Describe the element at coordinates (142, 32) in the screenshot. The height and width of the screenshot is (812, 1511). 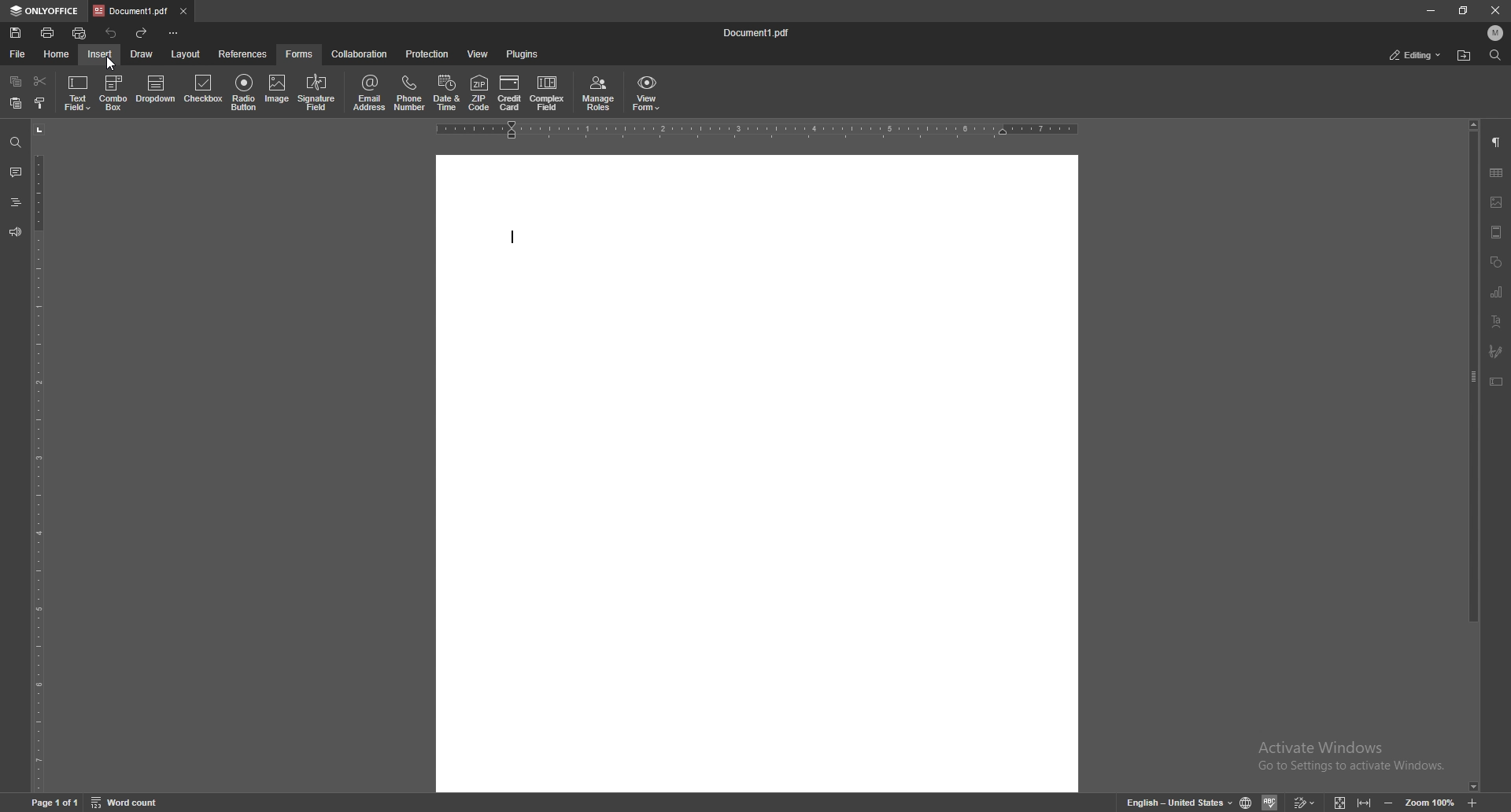
I see `redo` at that location.